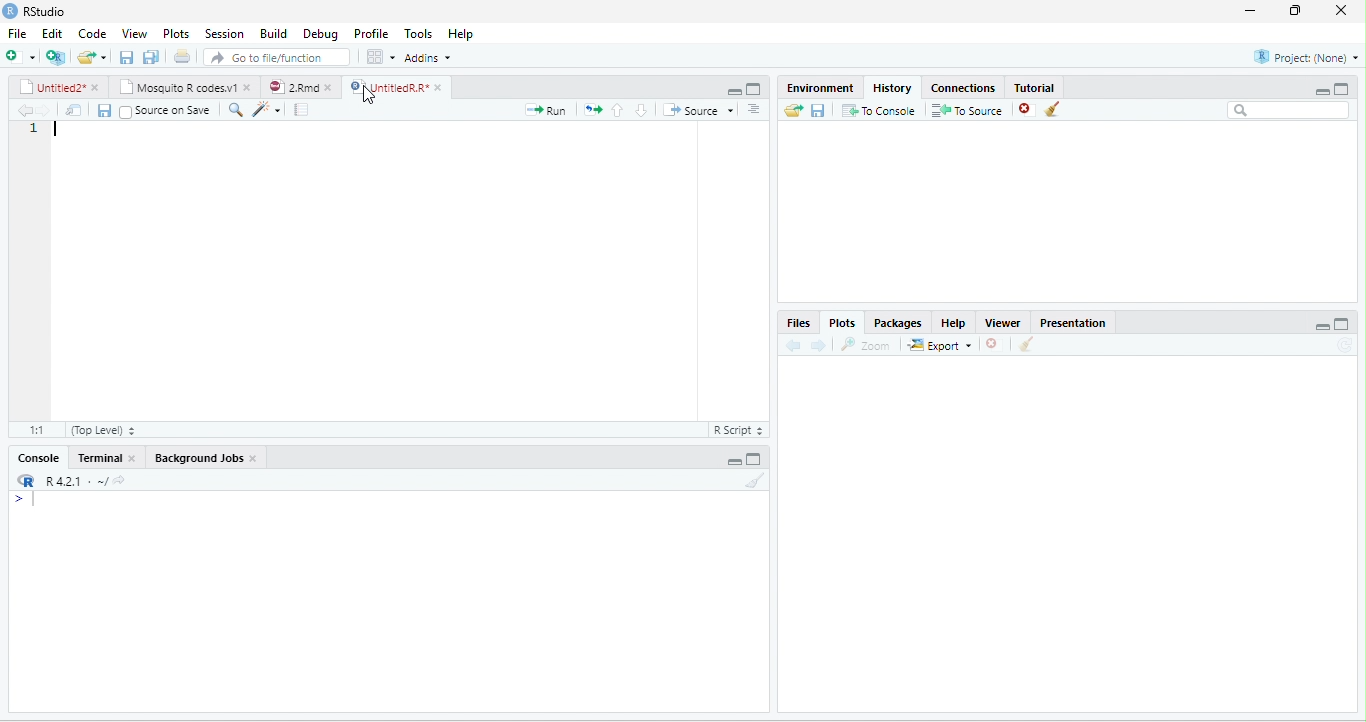 This screenshot has height=722, width=1366. I want to click on maximize, so click(1299, 11).